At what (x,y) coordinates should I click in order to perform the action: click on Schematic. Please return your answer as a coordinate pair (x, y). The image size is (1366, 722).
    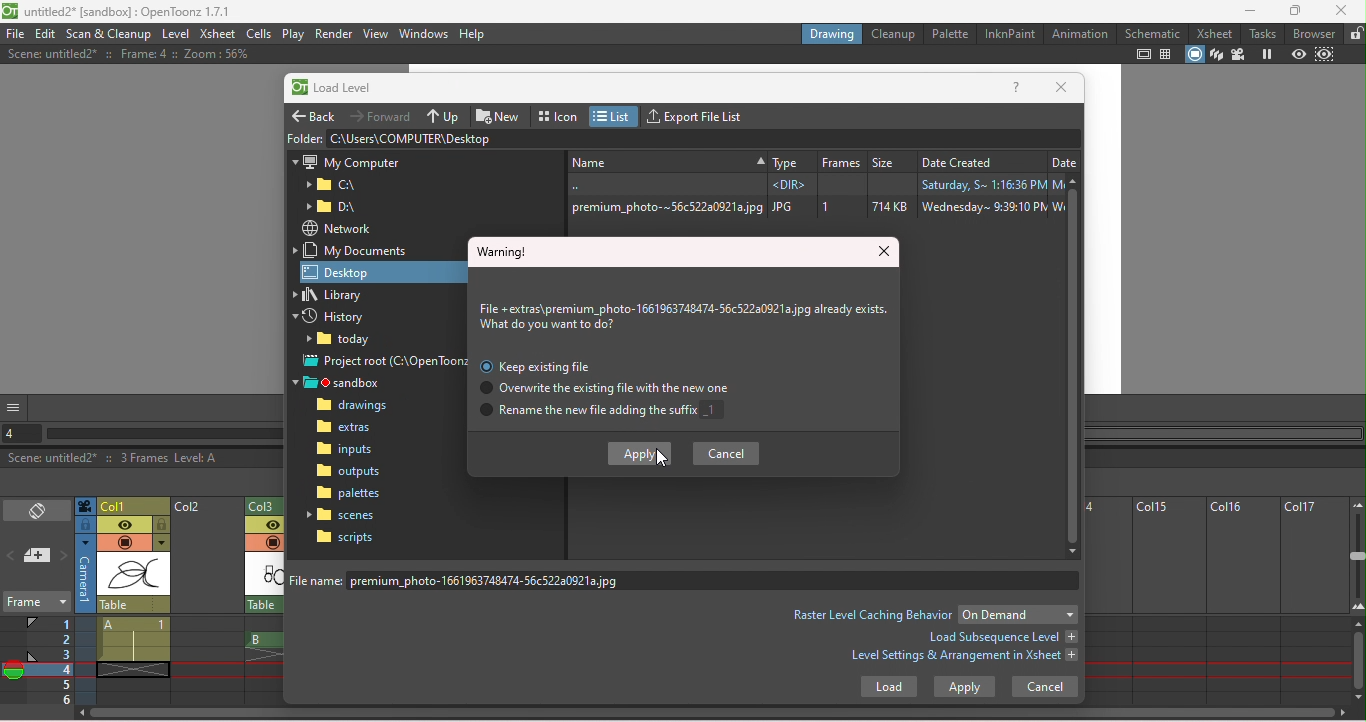
    Looking at the image, I should click on (1153, 33).